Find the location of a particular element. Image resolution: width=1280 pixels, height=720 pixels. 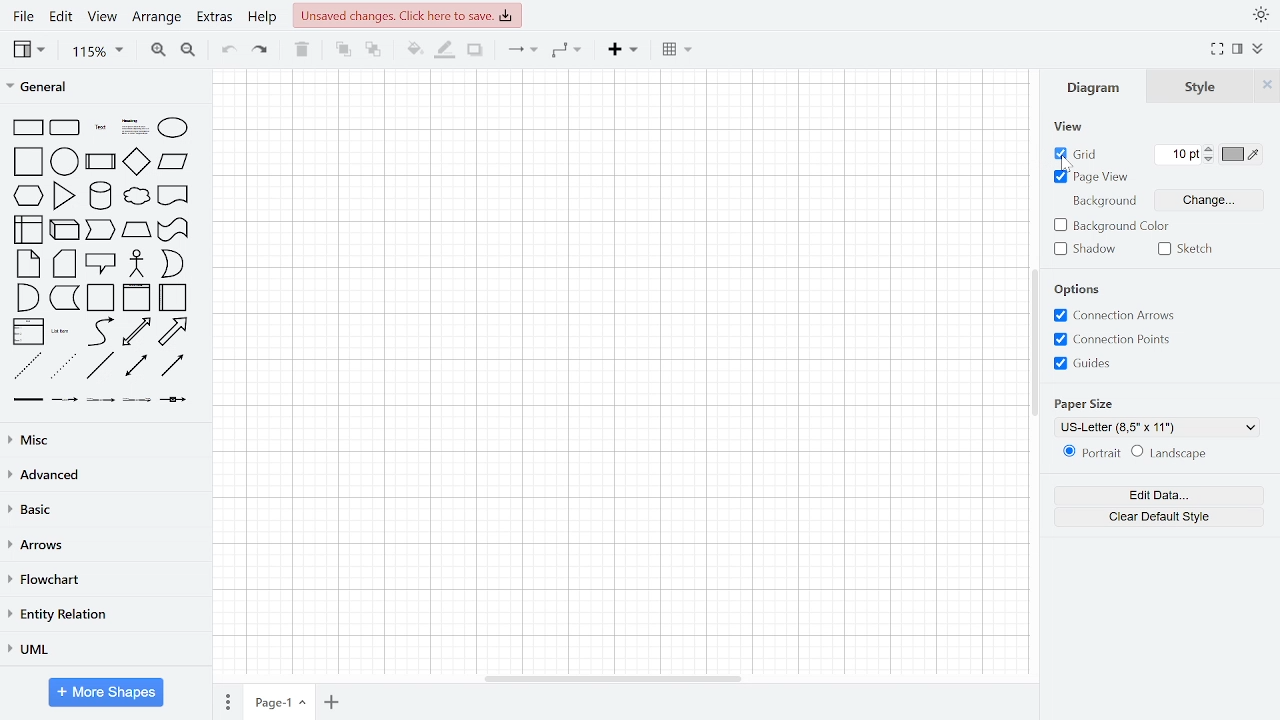

shadow is located at coordinates (1087, 251).